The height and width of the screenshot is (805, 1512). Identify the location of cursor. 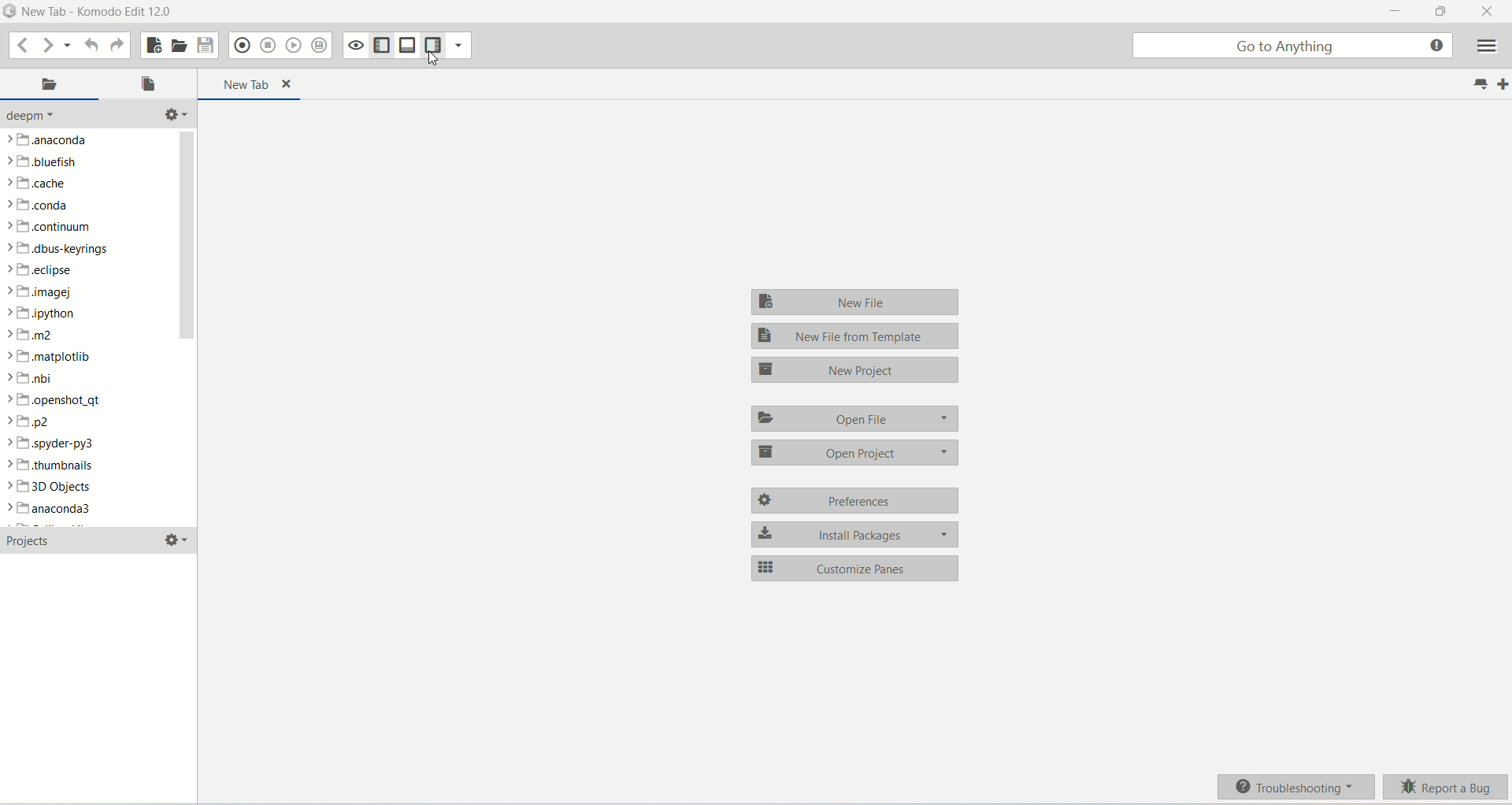
(434, 58).